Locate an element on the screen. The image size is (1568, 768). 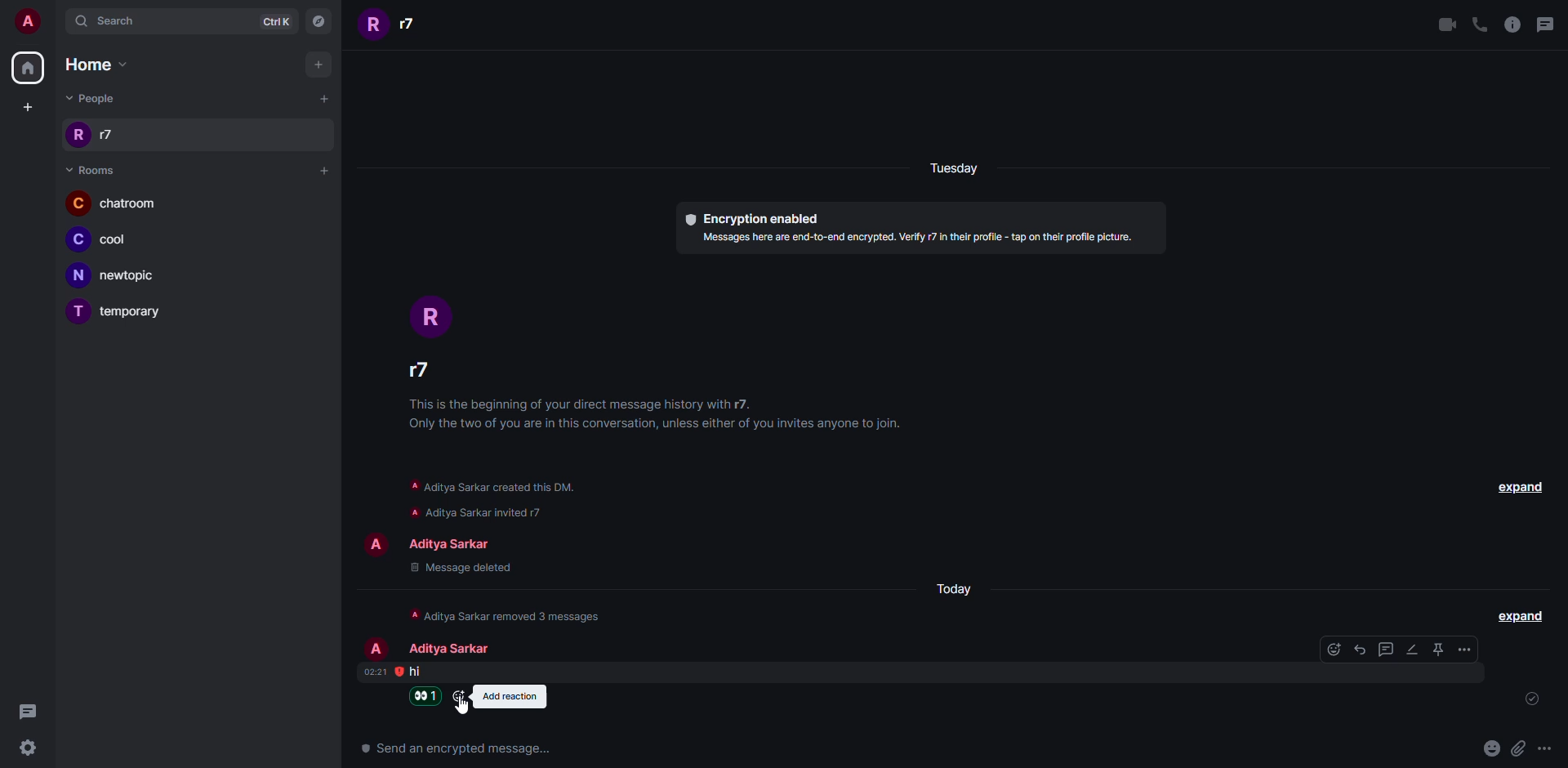
home is located at coordinates (28, 68).